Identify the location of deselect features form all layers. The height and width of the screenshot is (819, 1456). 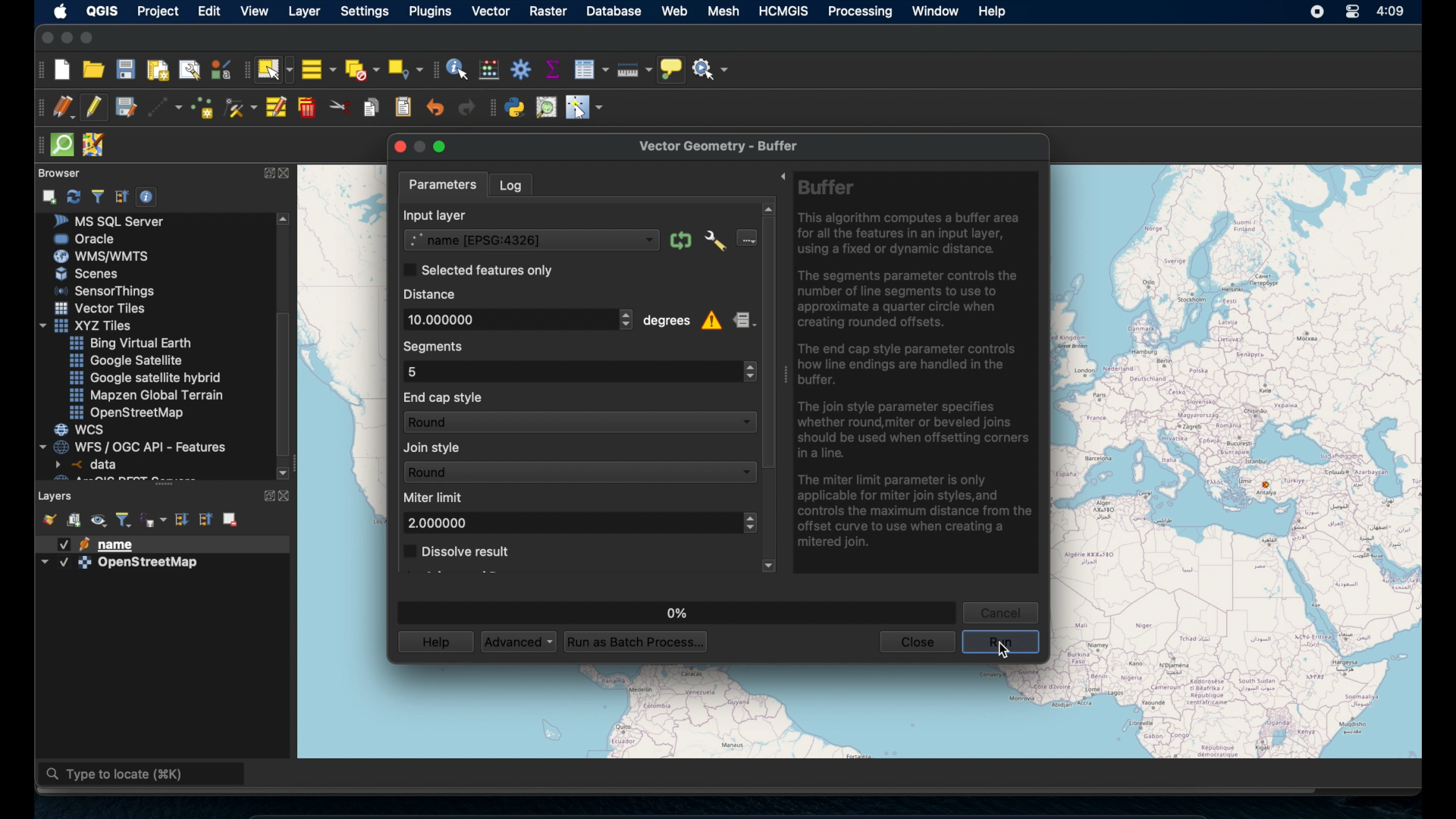
(363, 69).